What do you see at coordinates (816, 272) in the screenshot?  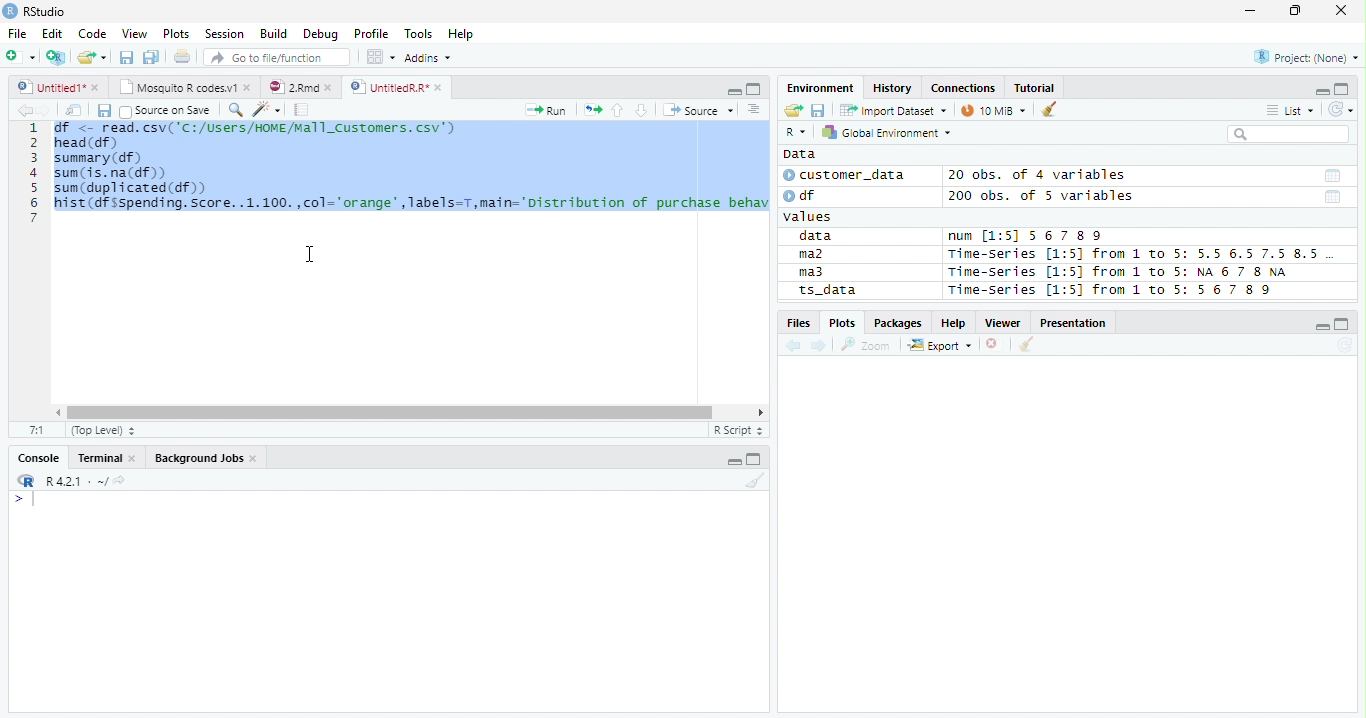 I see `ma3` at bounding box center [816, 272].